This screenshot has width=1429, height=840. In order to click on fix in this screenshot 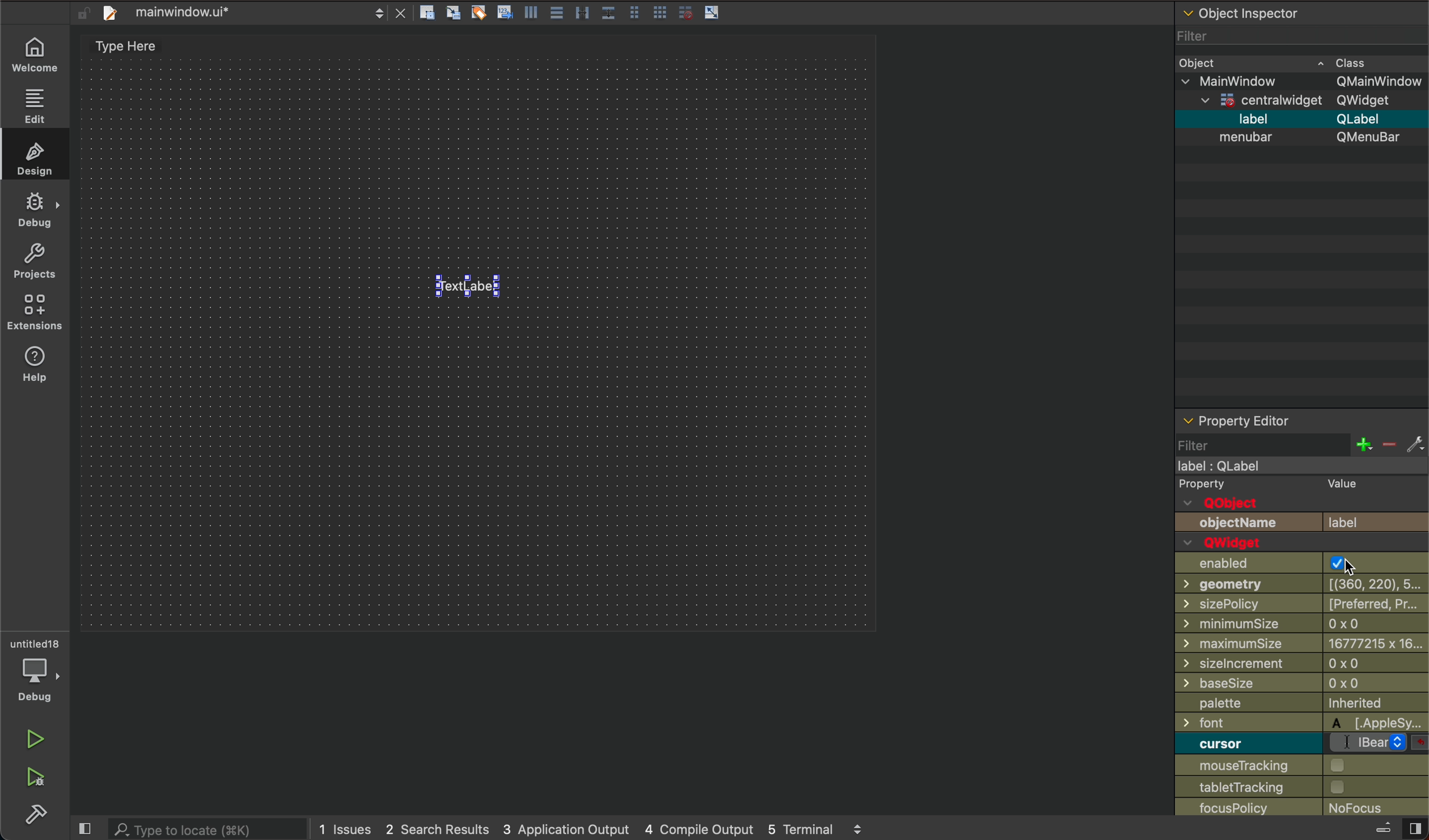, I will do `click(1418, 444)`.